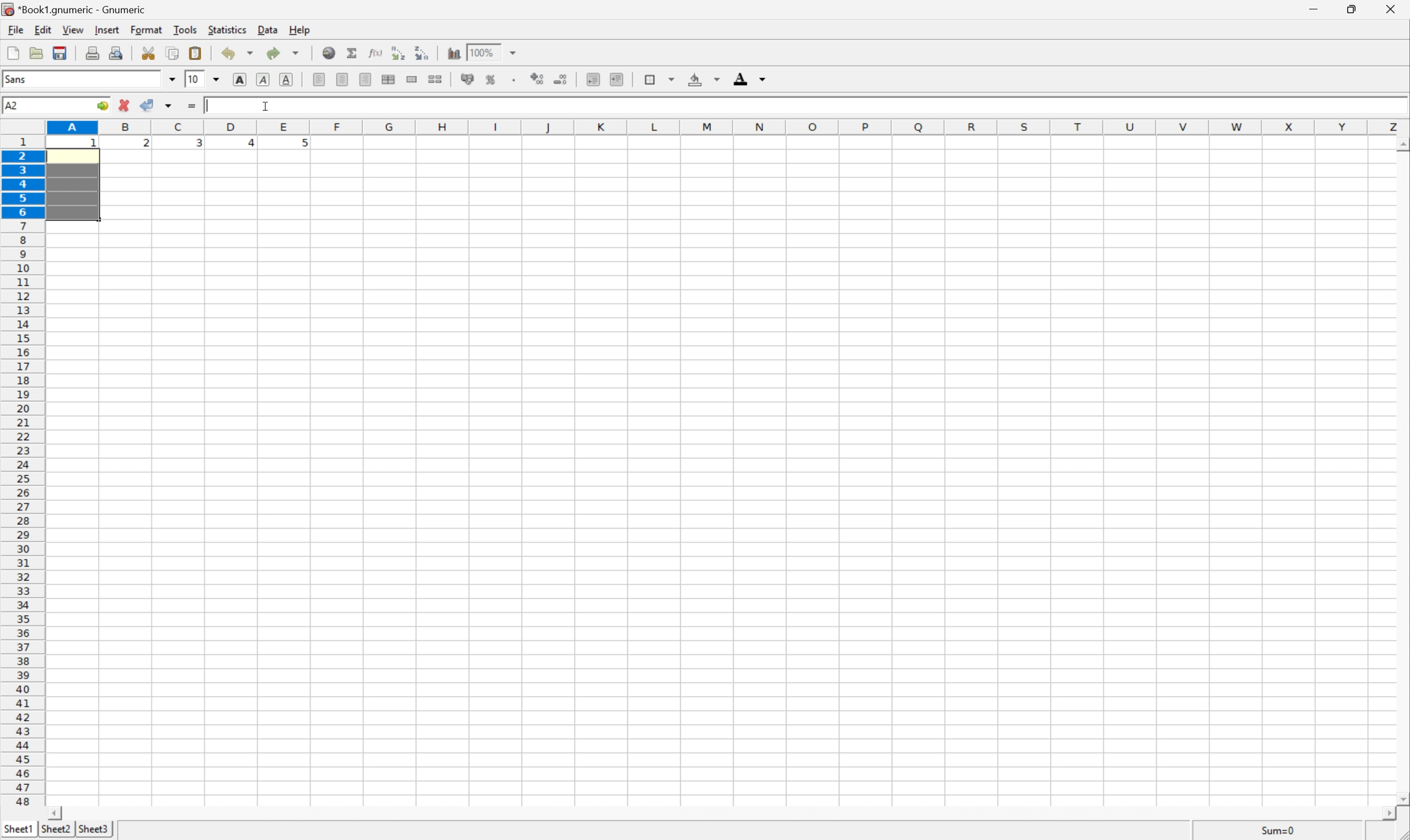 The image size is (1410, 840). What do you see at coordinates (92, 52) in the screenshot?
I see `print` at bounding box center [92, 52].